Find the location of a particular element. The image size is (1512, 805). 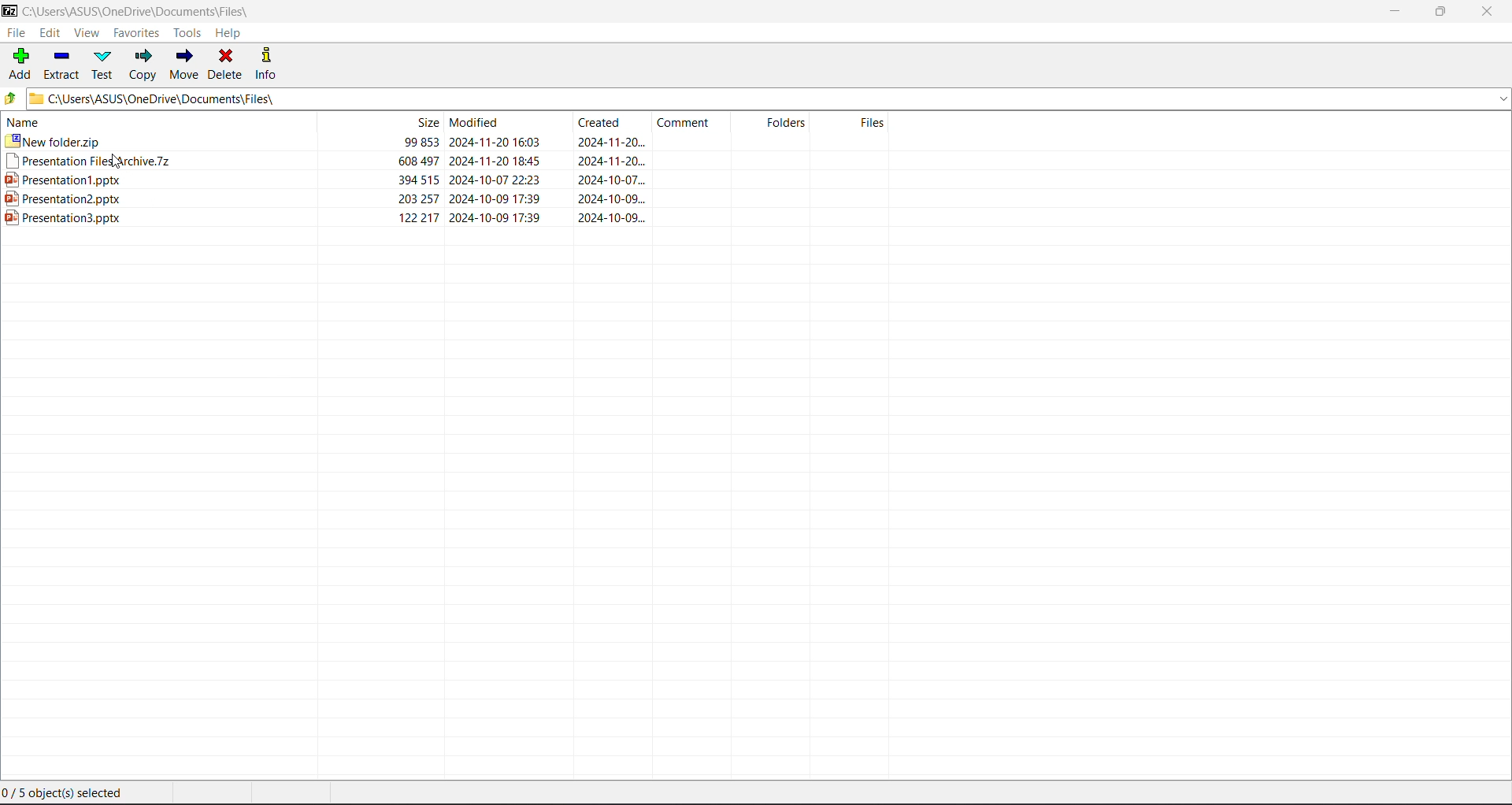

Name is located at coordinates (159, 122).